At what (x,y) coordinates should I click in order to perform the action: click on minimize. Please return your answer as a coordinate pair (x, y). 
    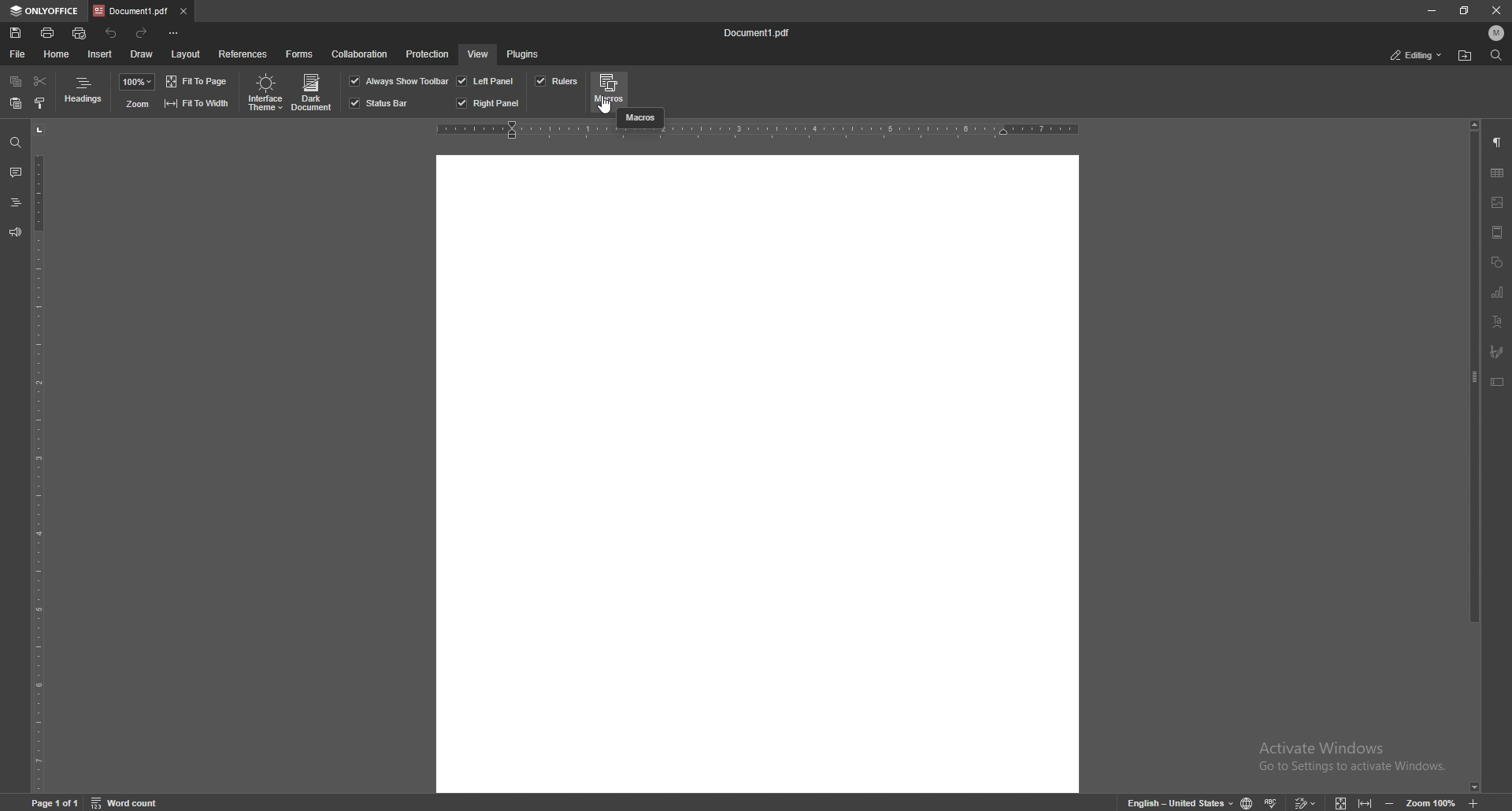
    Looking at the image, I should click on (1432, 11).